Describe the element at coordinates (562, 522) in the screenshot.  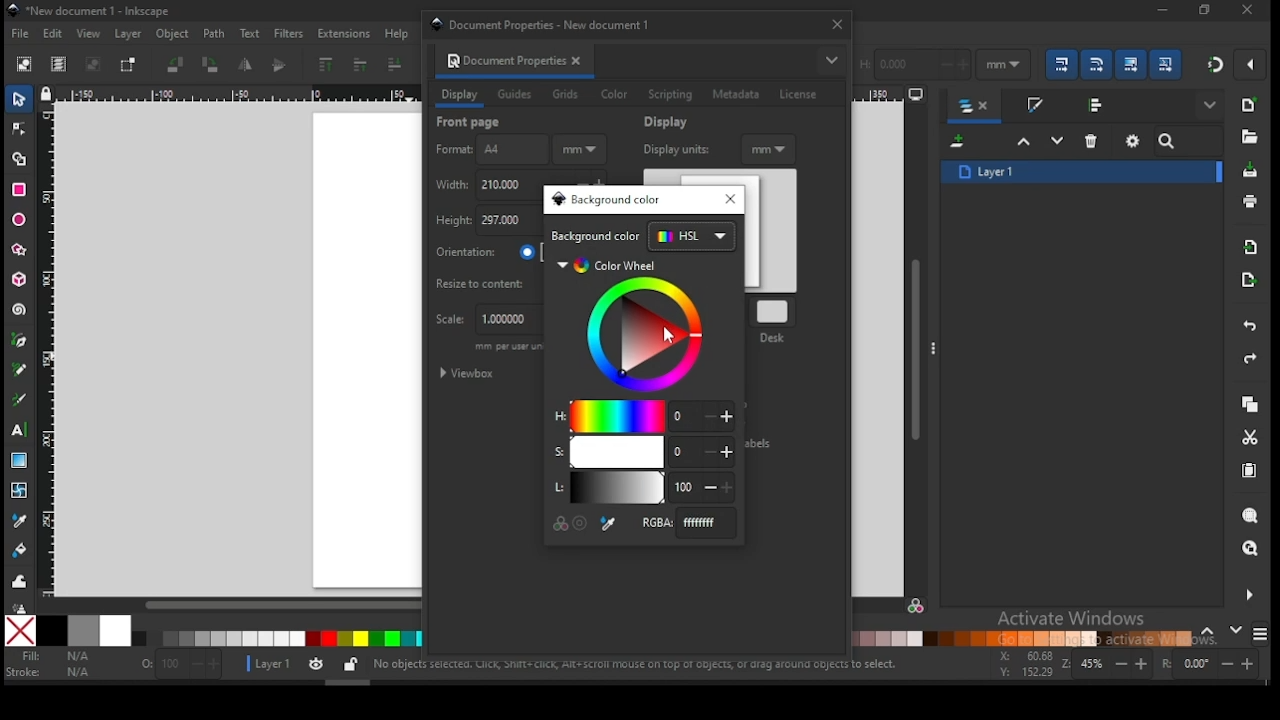
I see `color managed` at that location.